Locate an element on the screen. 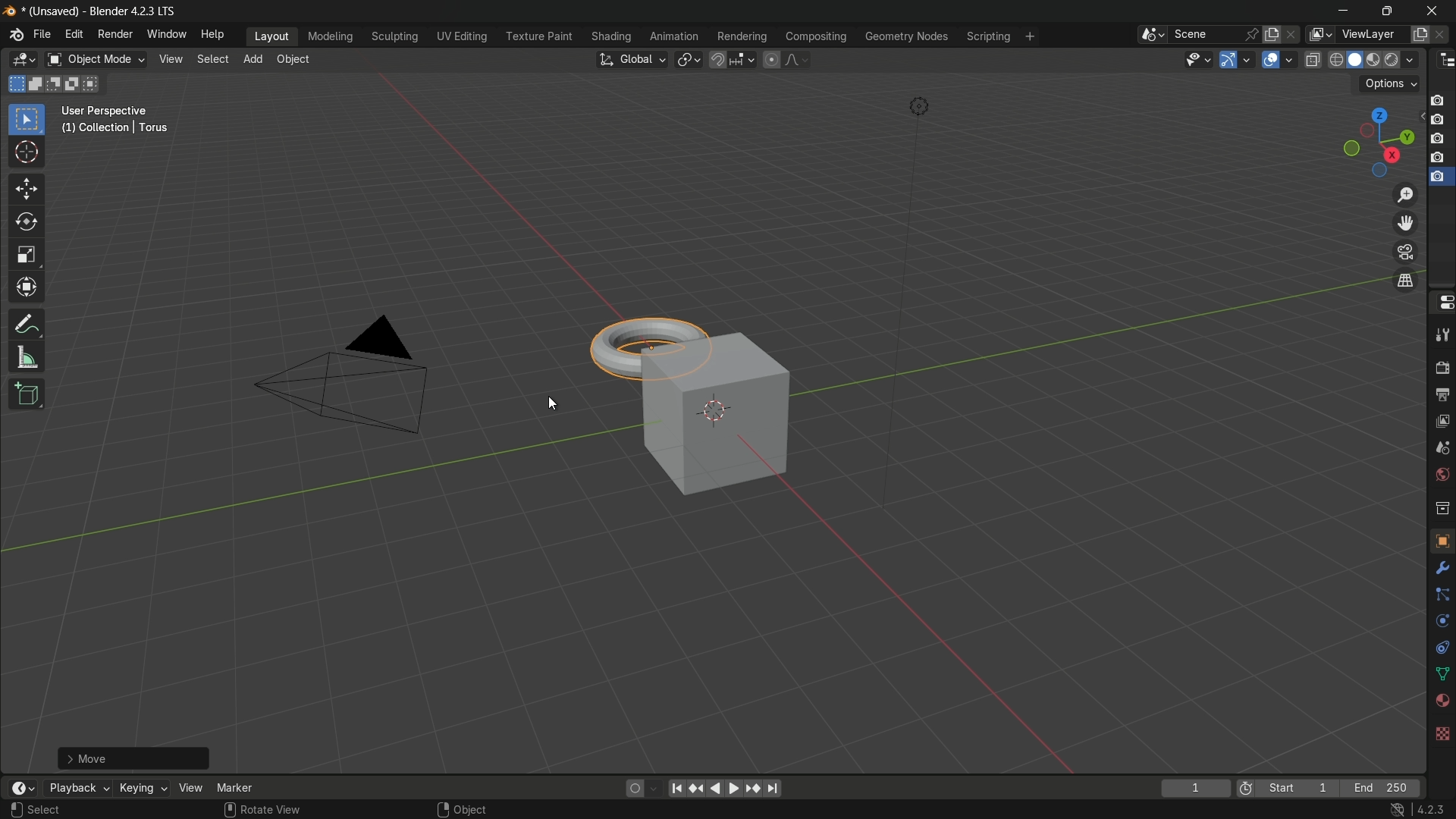 The image size is (1456, 819). add layer is located at coordinates (1420, 35).